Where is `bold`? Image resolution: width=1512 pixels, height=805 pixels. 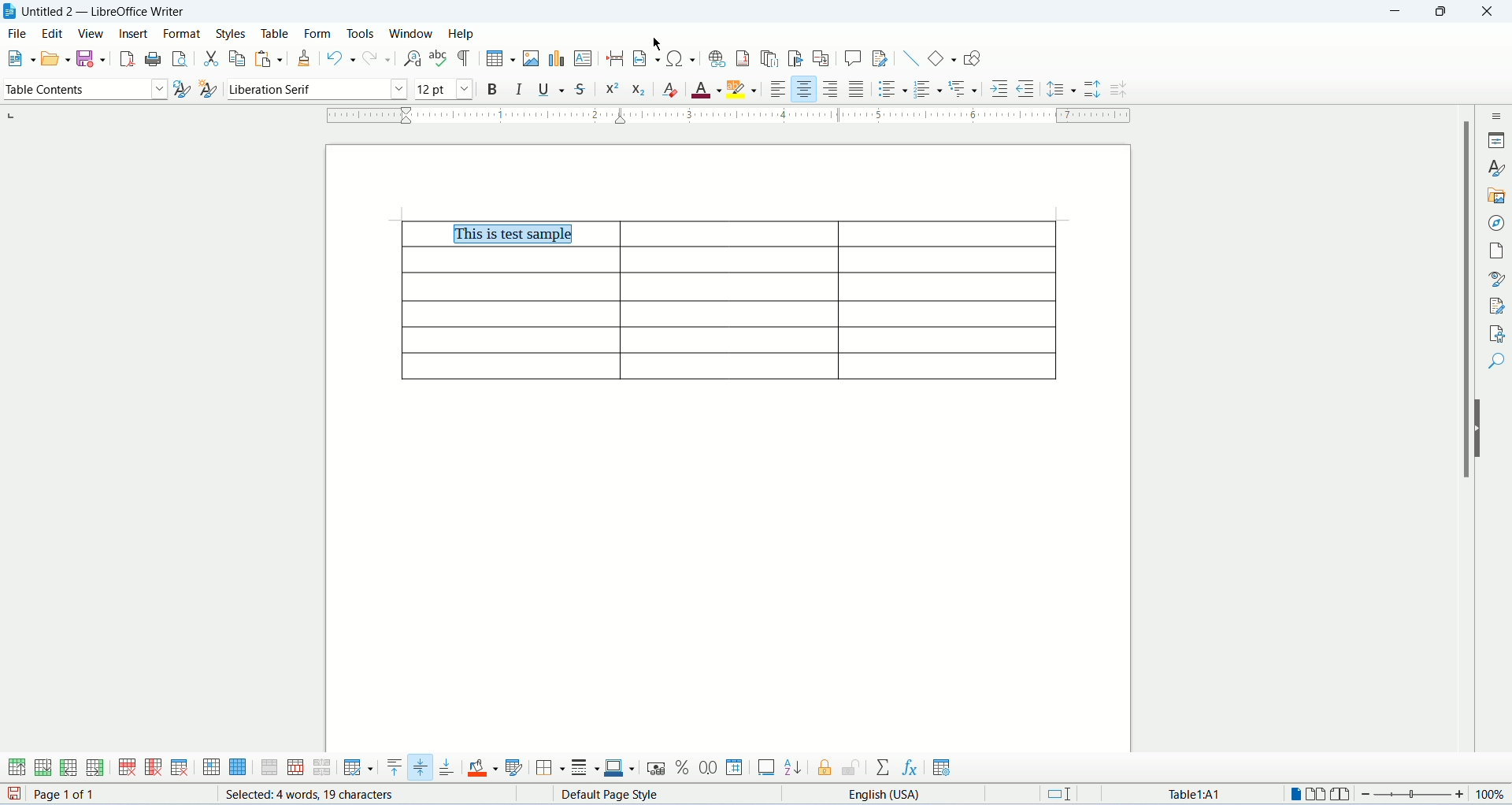
bold is located at coordinates (495, 90).